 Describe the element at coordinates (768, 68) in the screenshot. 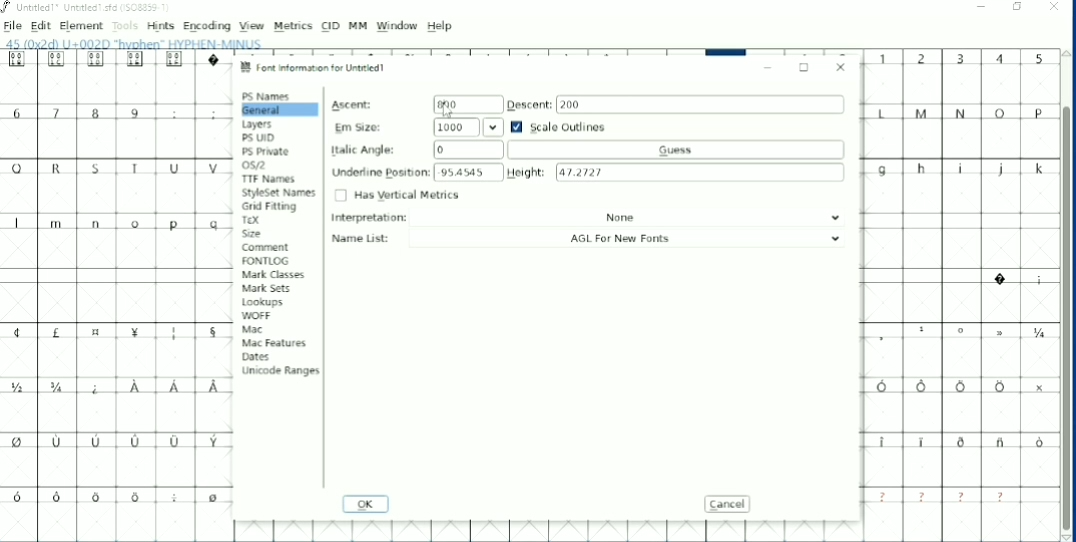

I see `Minimize` at that location.